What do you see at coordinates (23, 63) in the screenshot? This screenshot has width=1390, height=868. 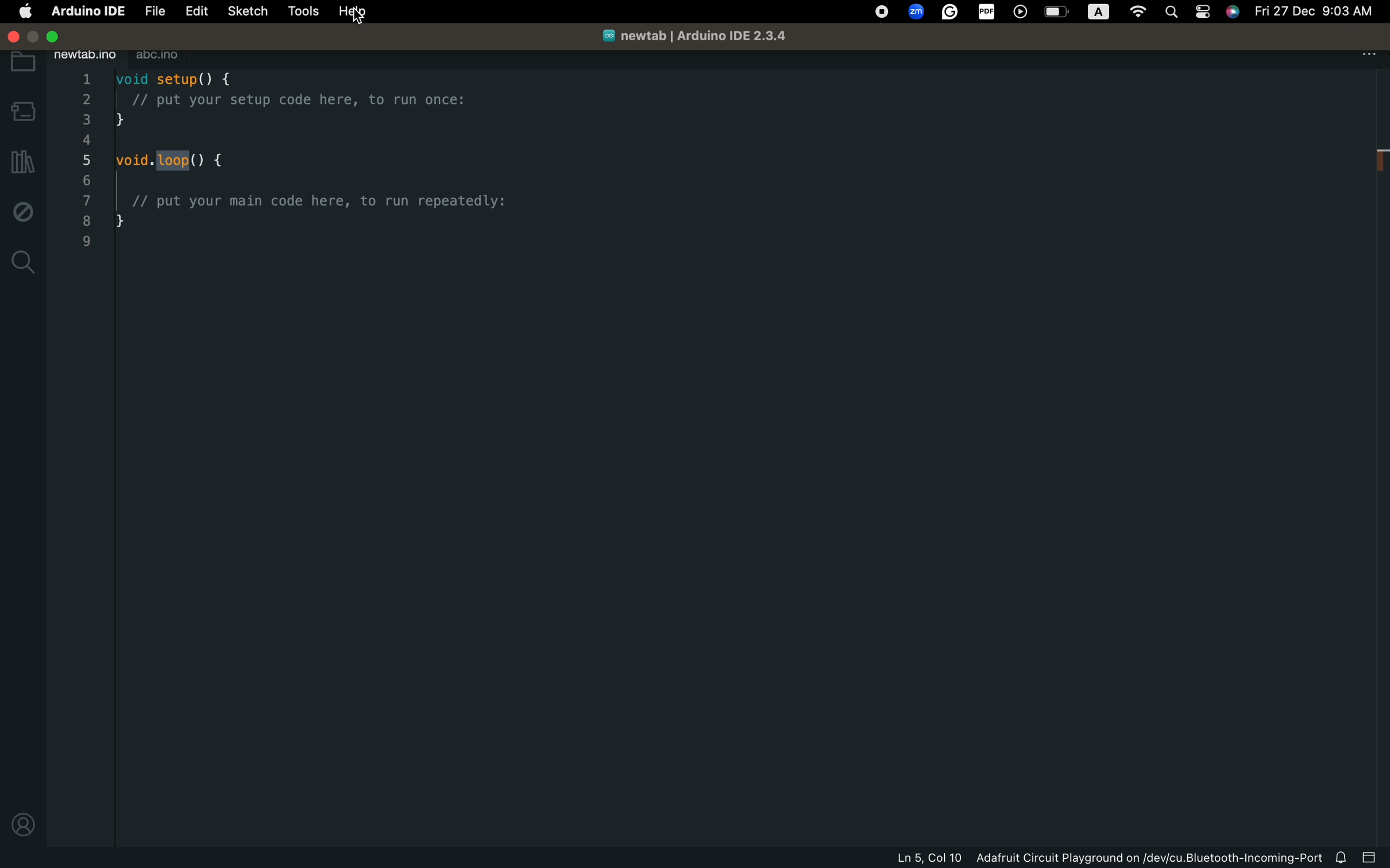 I see `folder` at bounding box center [23, 63].